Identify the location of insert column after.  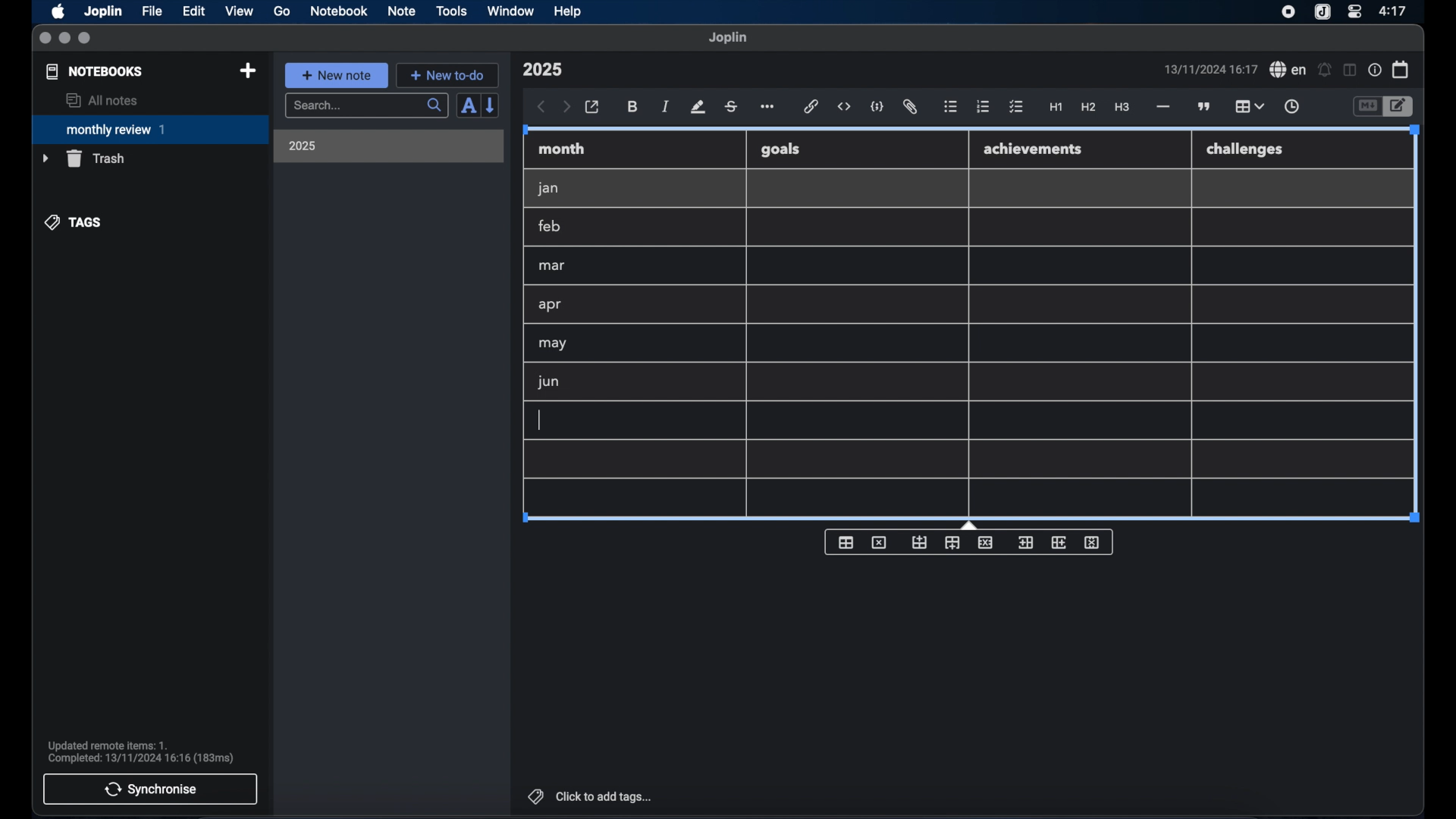
(1059, 542).